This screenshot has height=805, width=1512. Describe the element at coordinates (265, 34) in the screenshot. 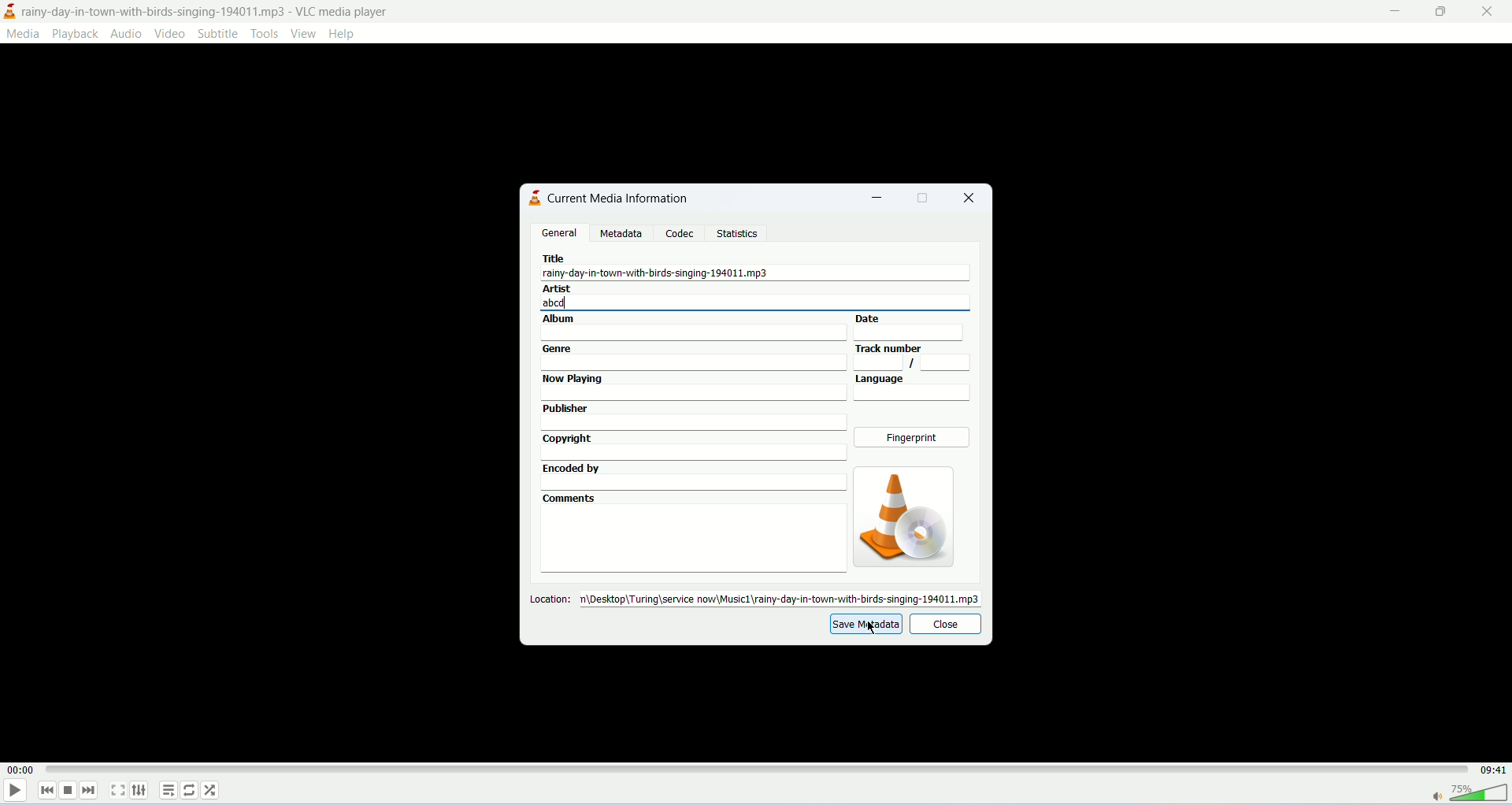

I see `tools` at that location.